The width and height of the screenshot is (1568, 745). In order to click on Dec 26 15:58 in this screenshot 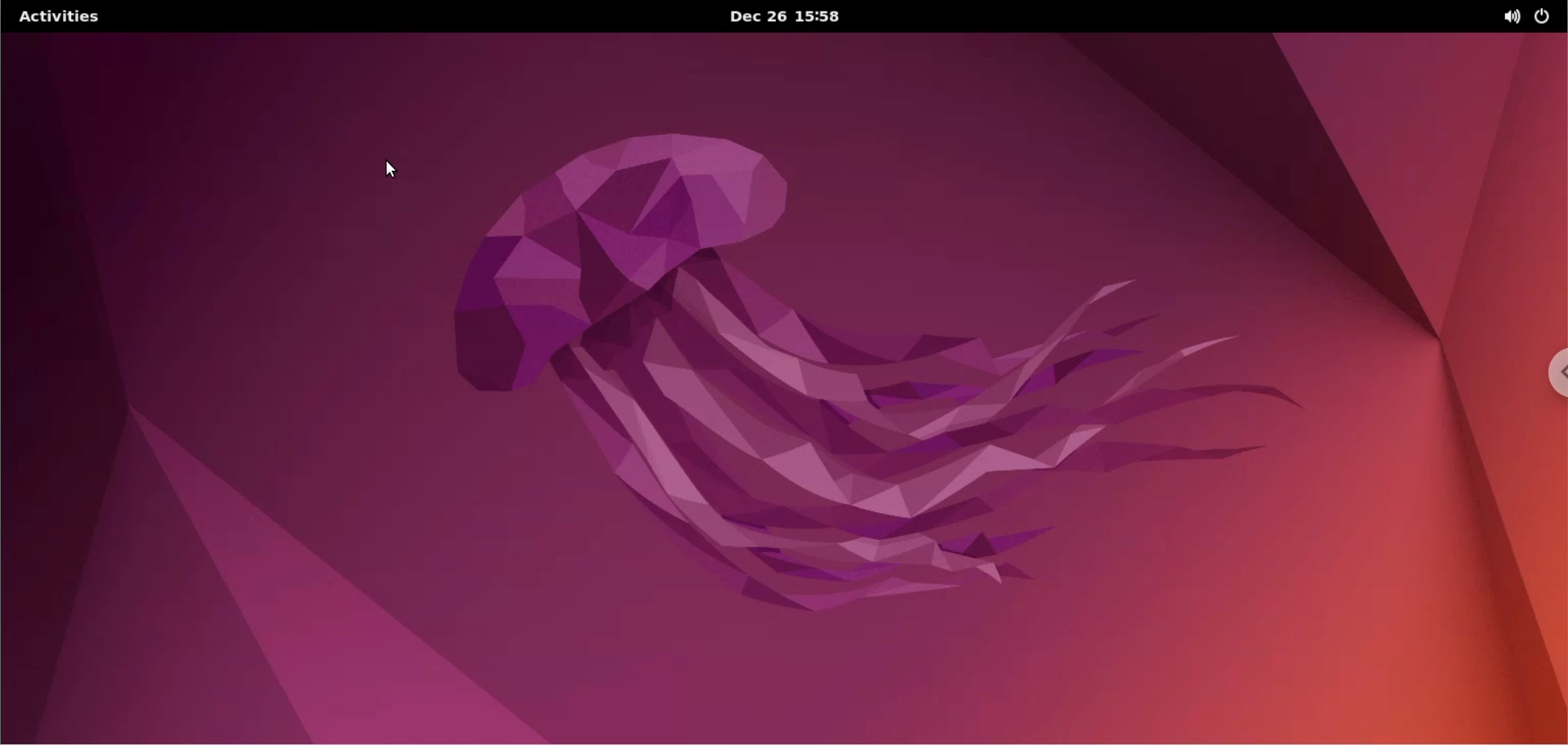, I will do `click(785, 16)`.